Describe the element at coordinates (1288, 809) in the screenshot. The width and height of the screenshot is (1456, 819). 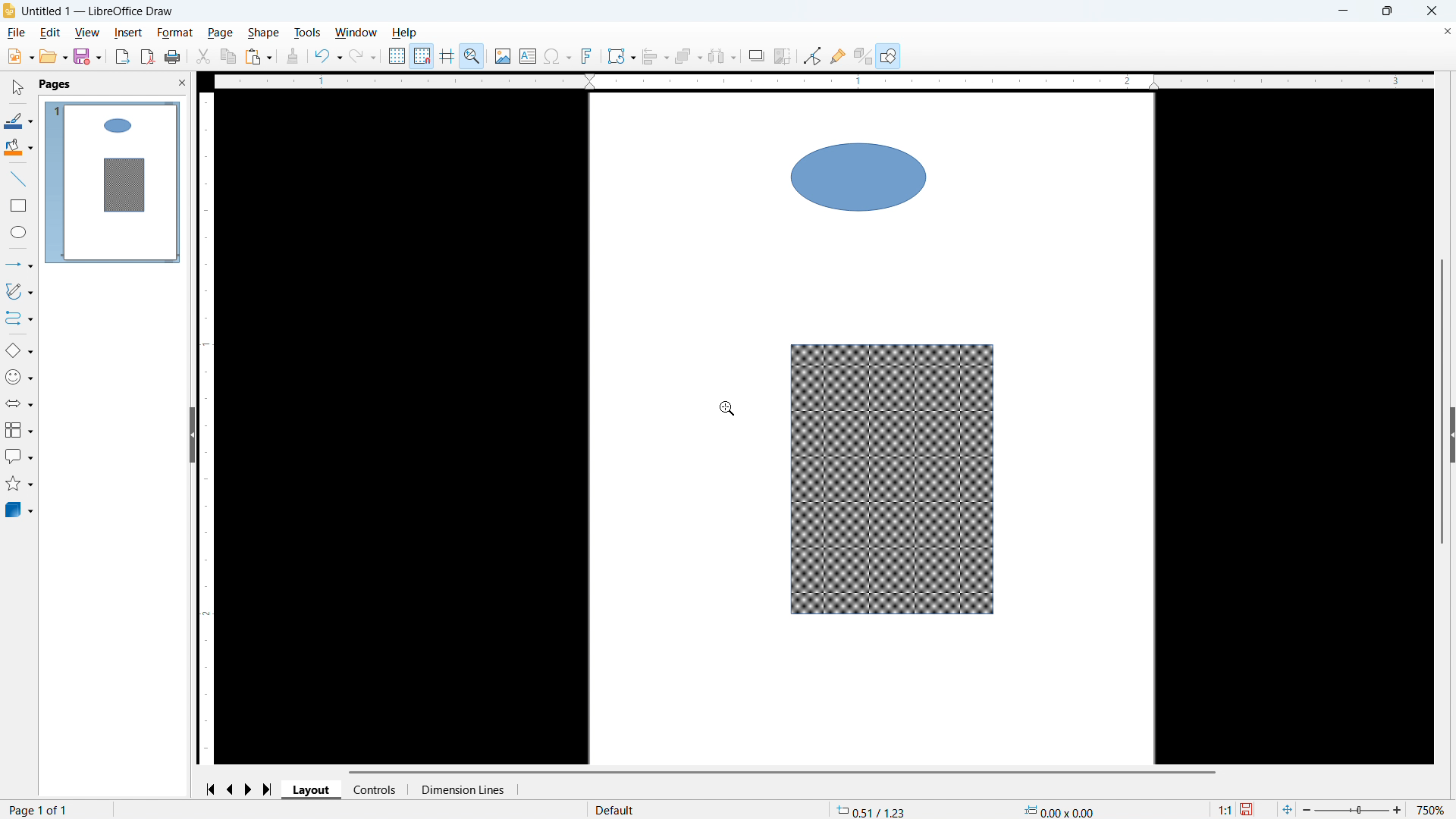
I see `Fit to page ` at that location.